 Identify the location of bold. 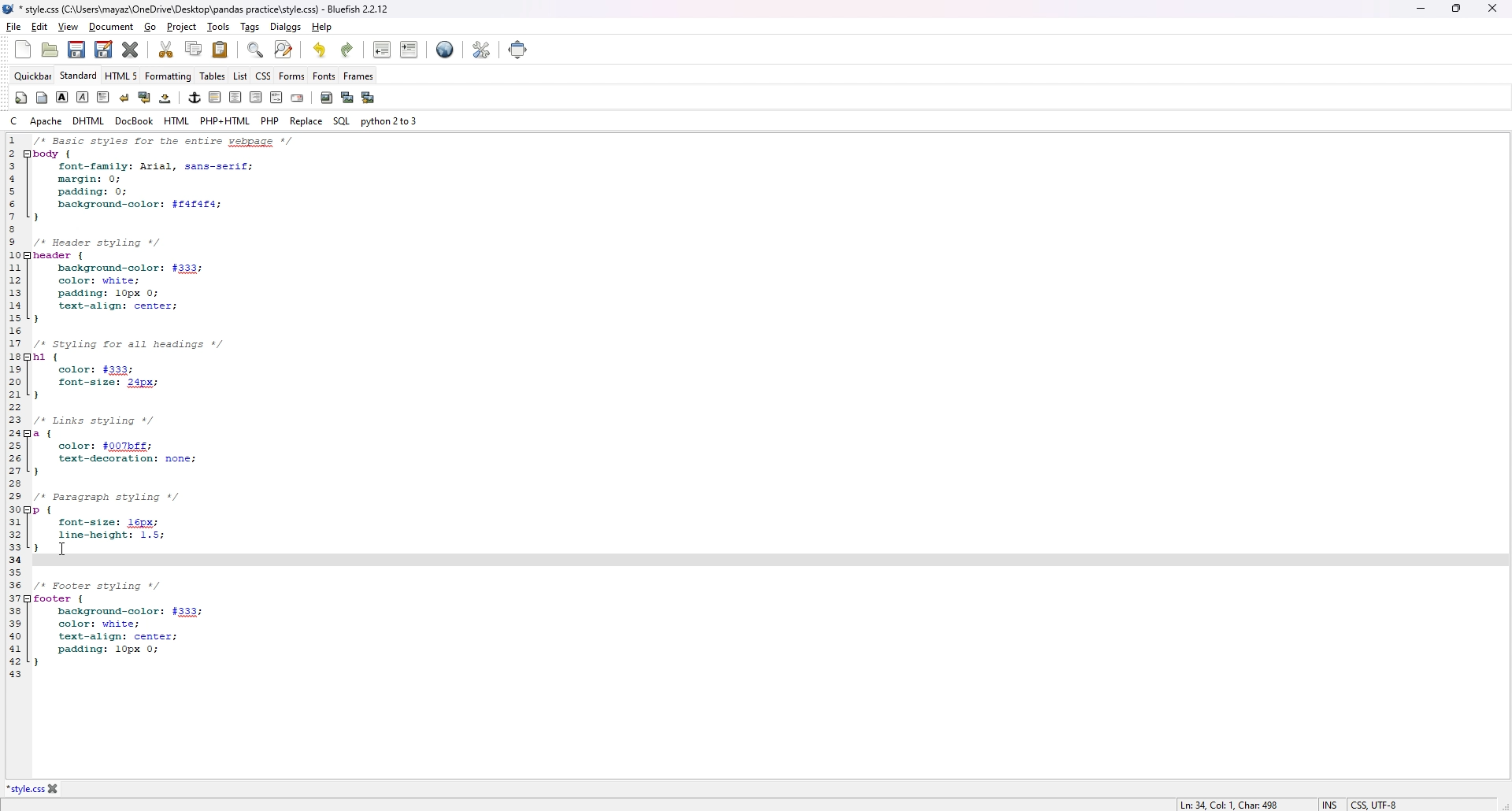
(63, 97).